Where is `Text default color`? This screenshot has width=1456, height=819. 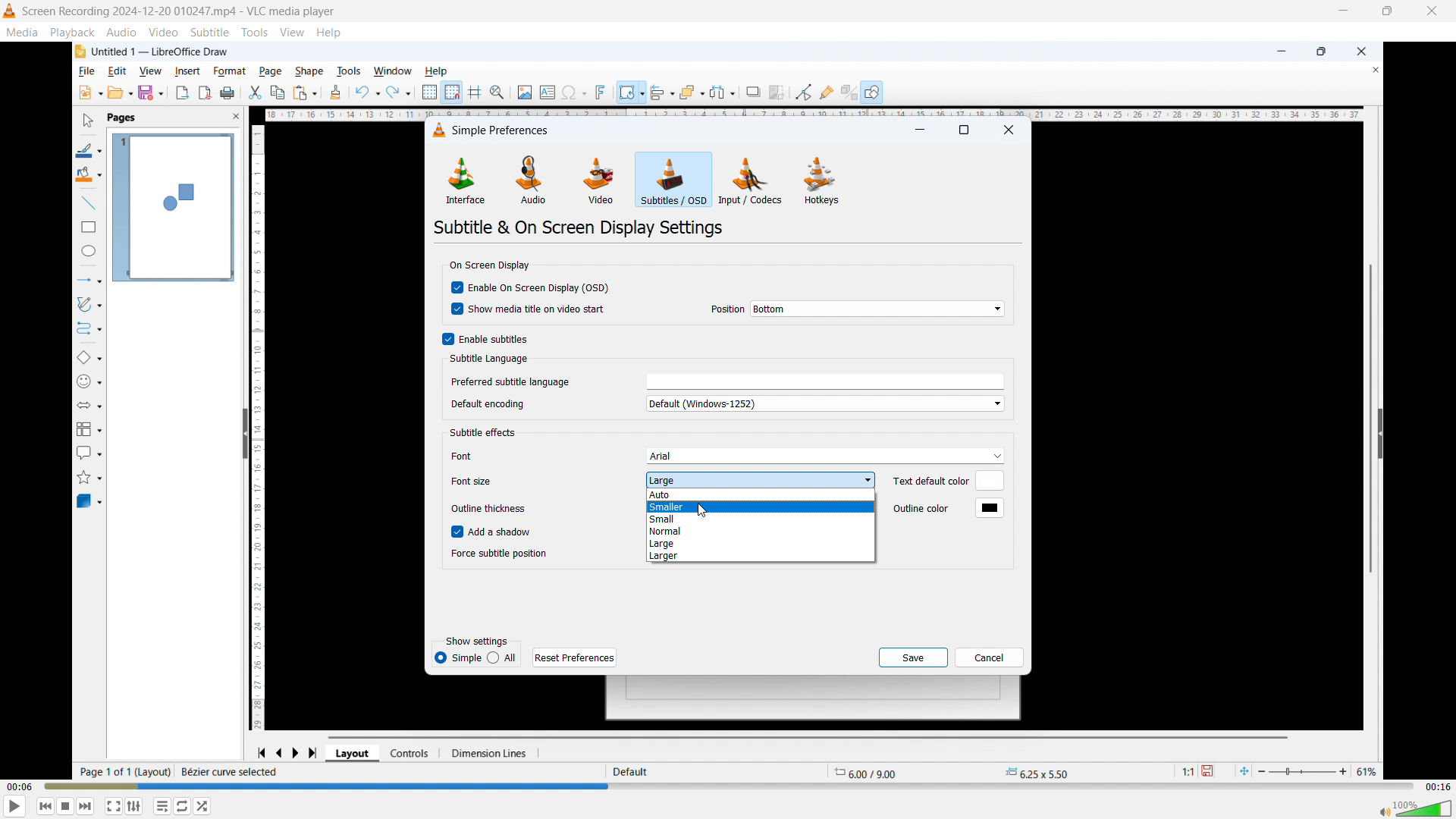
Text default color is located at coordinates (928, 481).